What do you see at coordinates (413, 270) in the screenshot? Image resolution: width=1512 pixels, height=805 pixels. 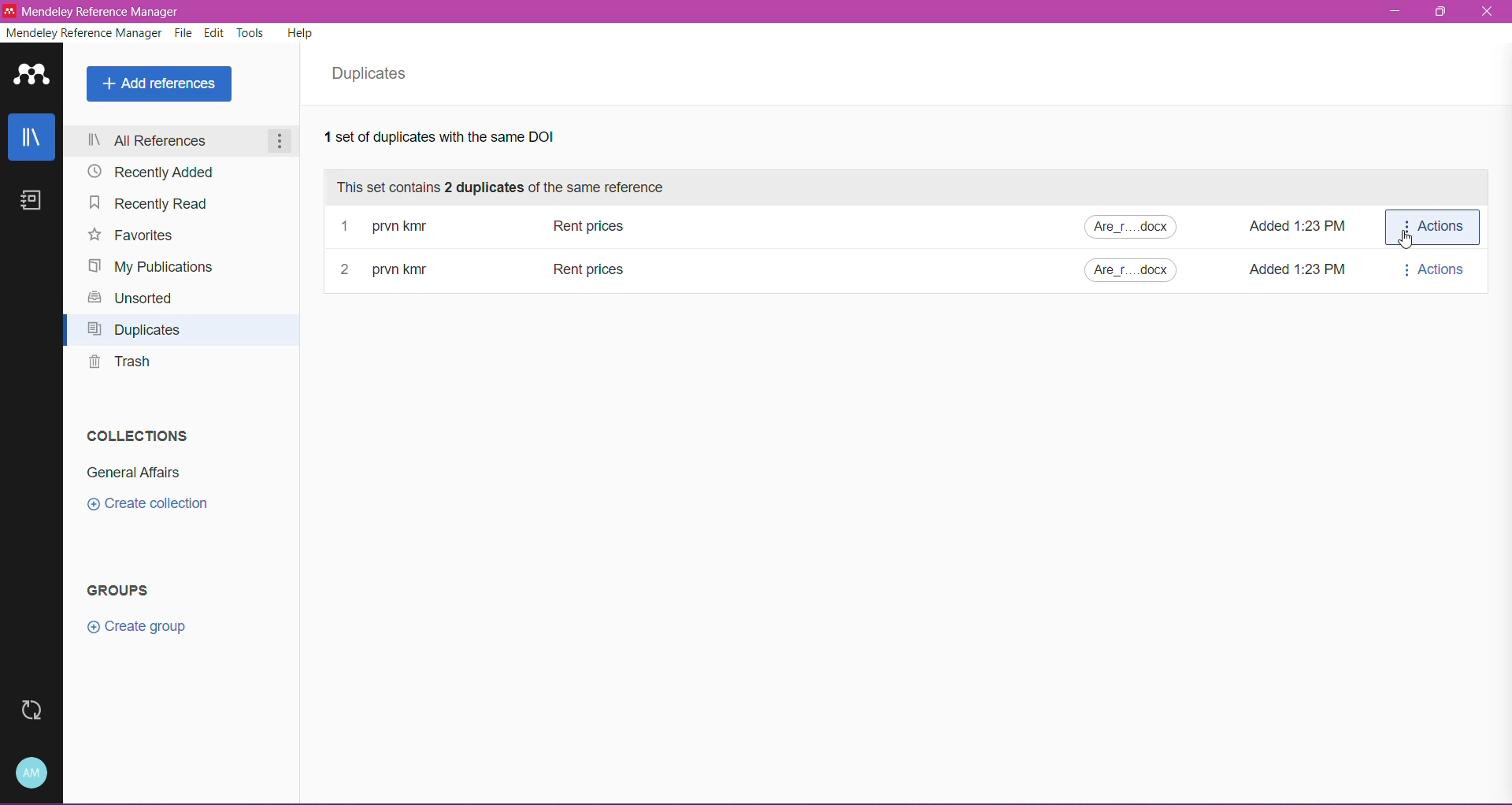 I see `author` at bounding box center [413, 270].